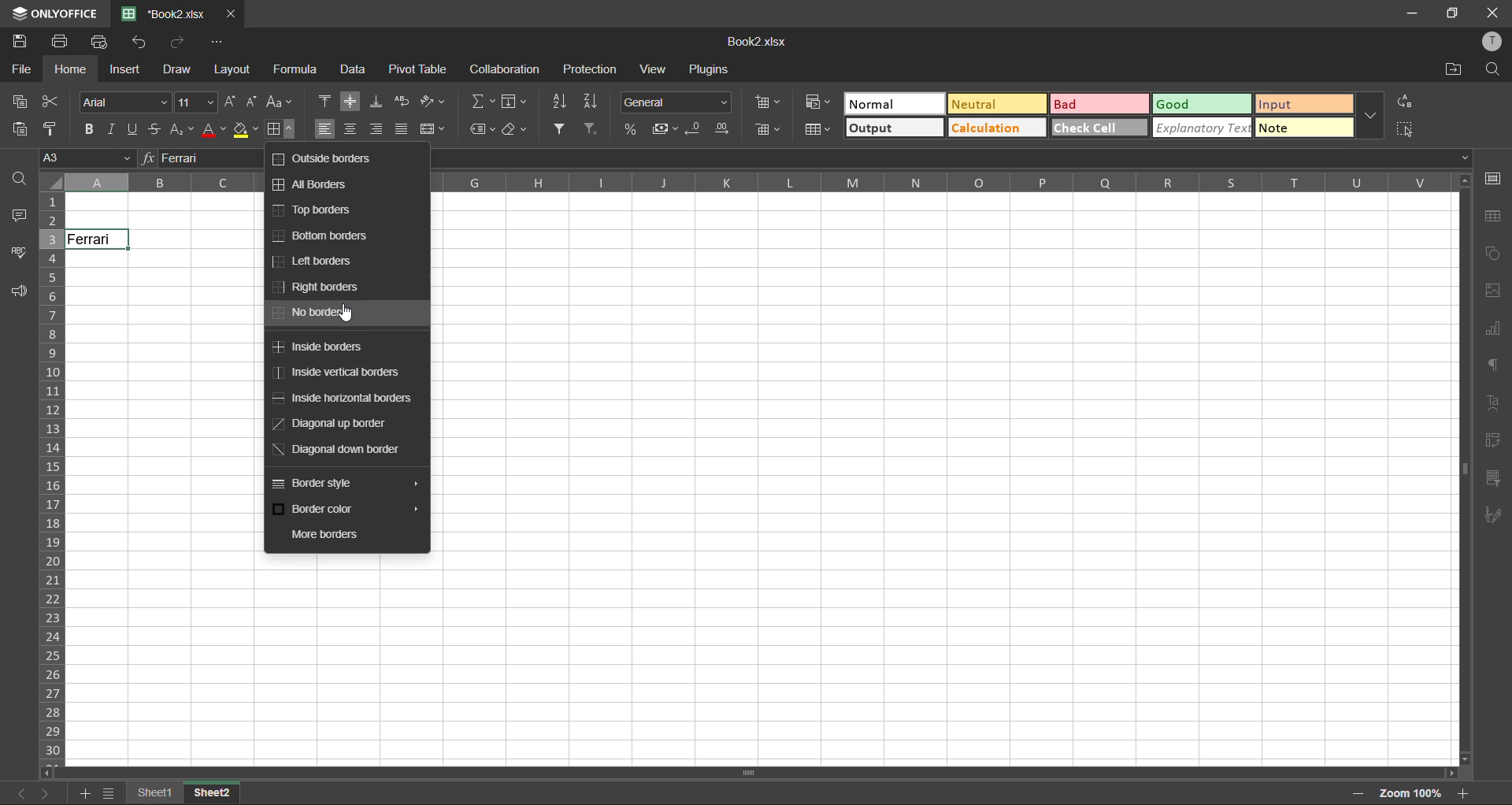 The height and width of the screenshot is (805, 1512). I want to click on scroll right, so click(1449, 773).